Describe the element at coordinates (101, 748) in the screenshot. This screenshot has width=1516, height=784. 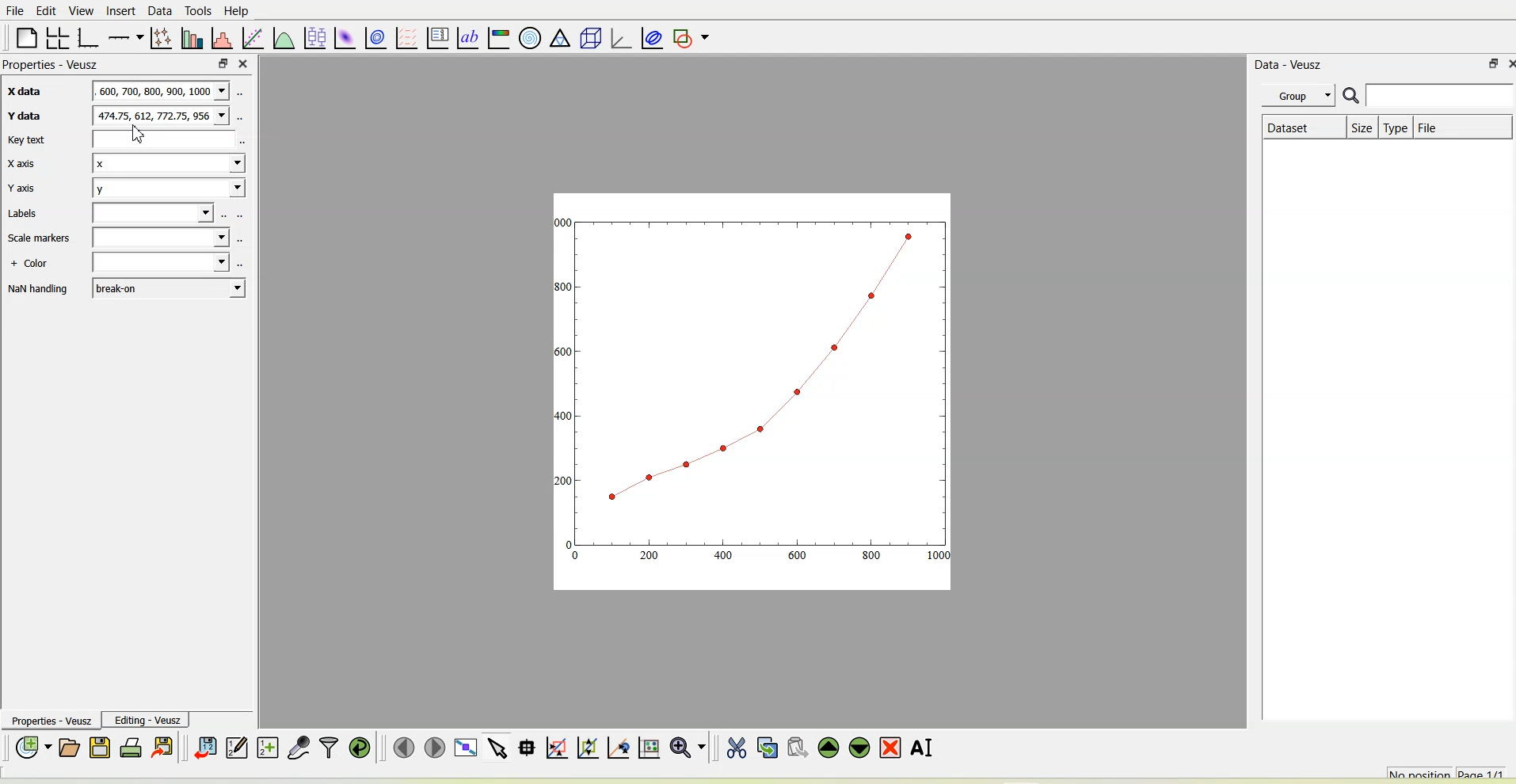
I see `Save the document` at that location.